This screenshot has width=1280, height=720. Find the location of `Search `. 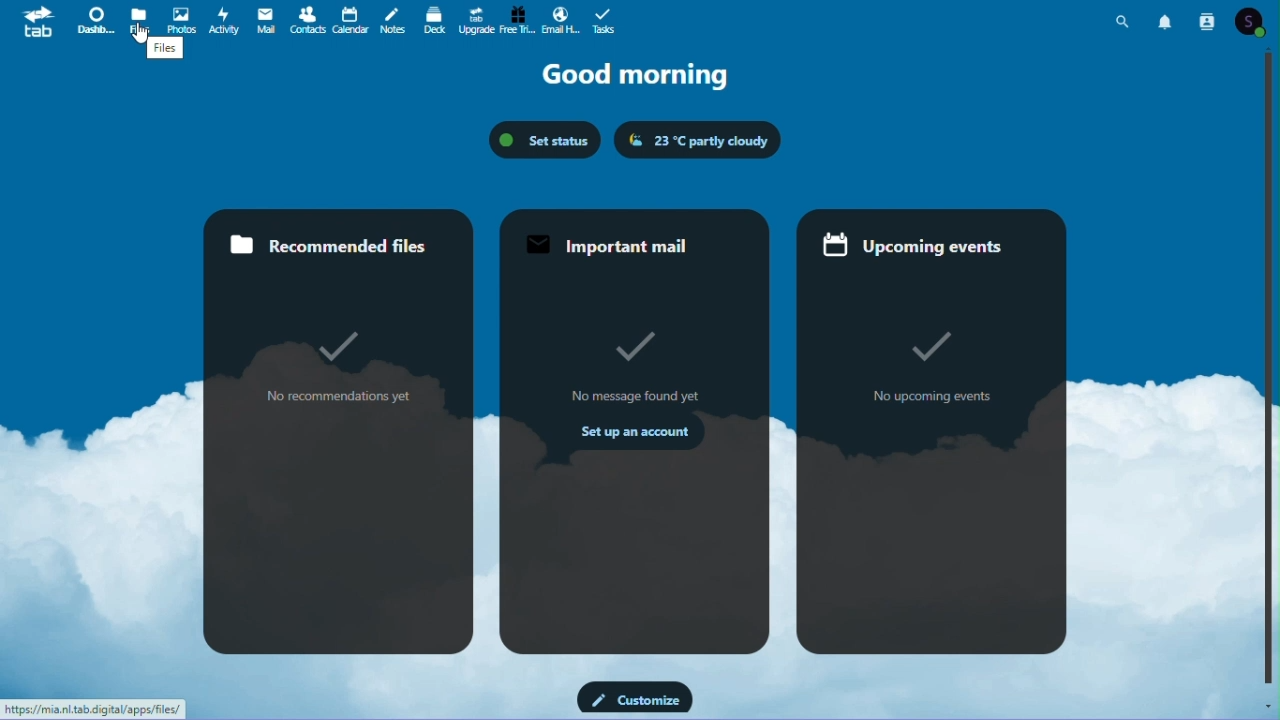

Search  is located at coordinates (1126, 19).